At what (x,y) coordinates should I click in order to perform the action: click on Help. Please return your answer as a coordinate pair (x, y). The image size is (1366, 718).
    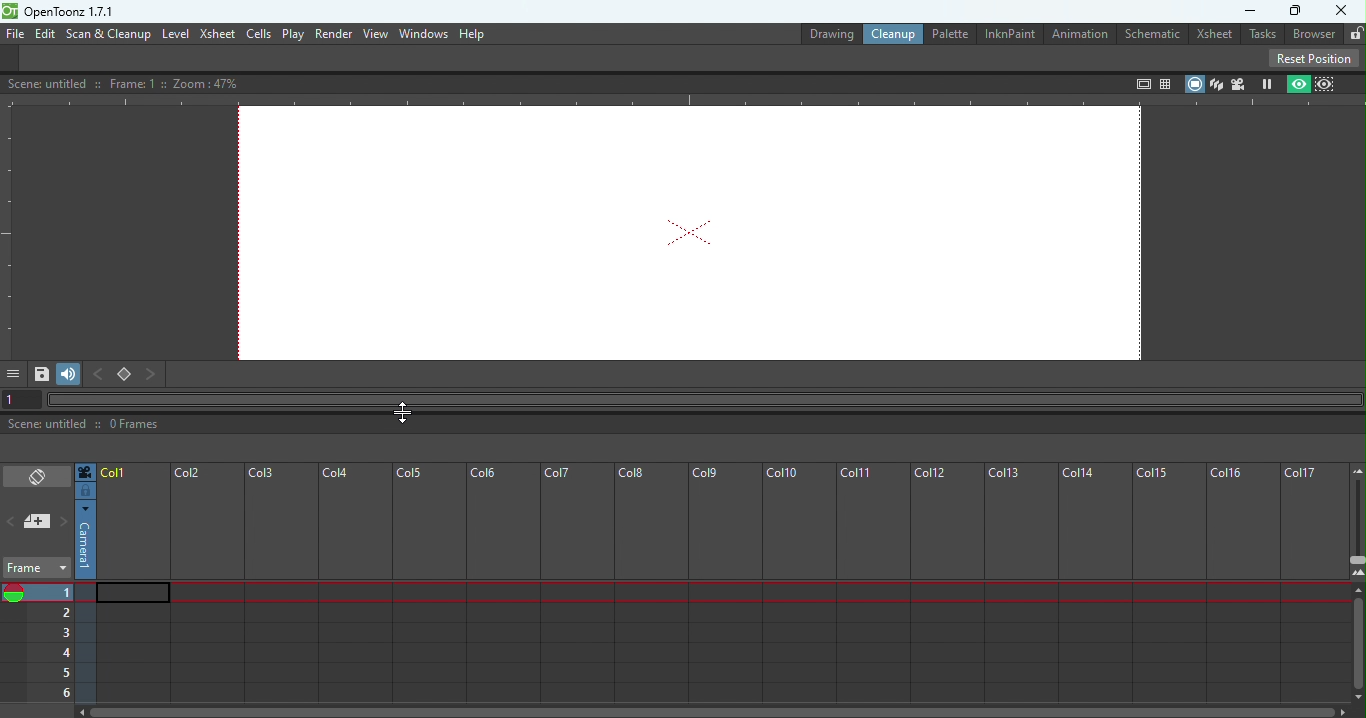
    Looking at the image, I should click on (473, 33).